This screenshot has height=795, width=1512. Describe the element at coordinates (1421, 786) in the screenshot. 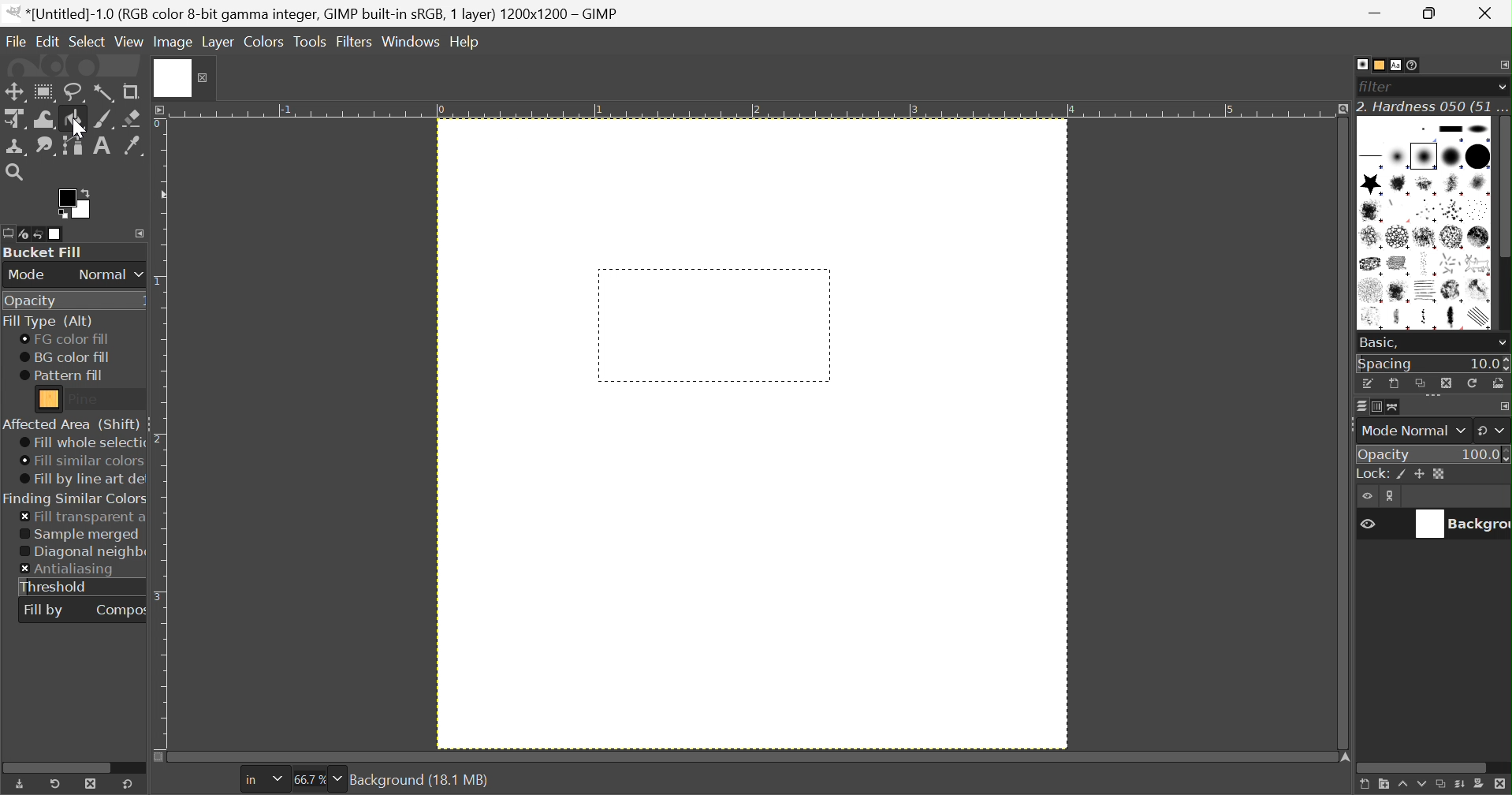

I see `Lower this layer one step` at that location.